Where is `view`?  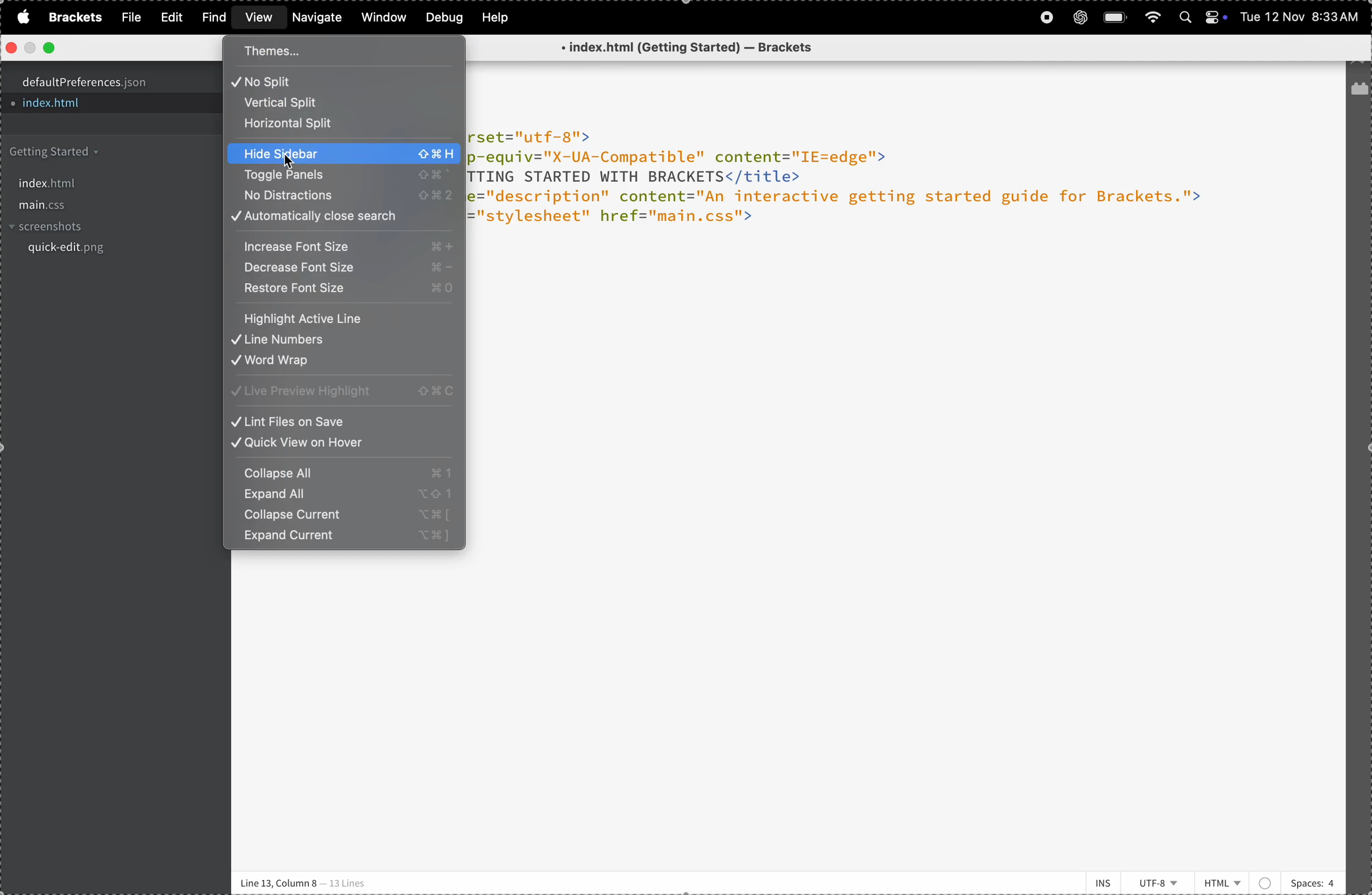
view is located at coordinates (257, 18).